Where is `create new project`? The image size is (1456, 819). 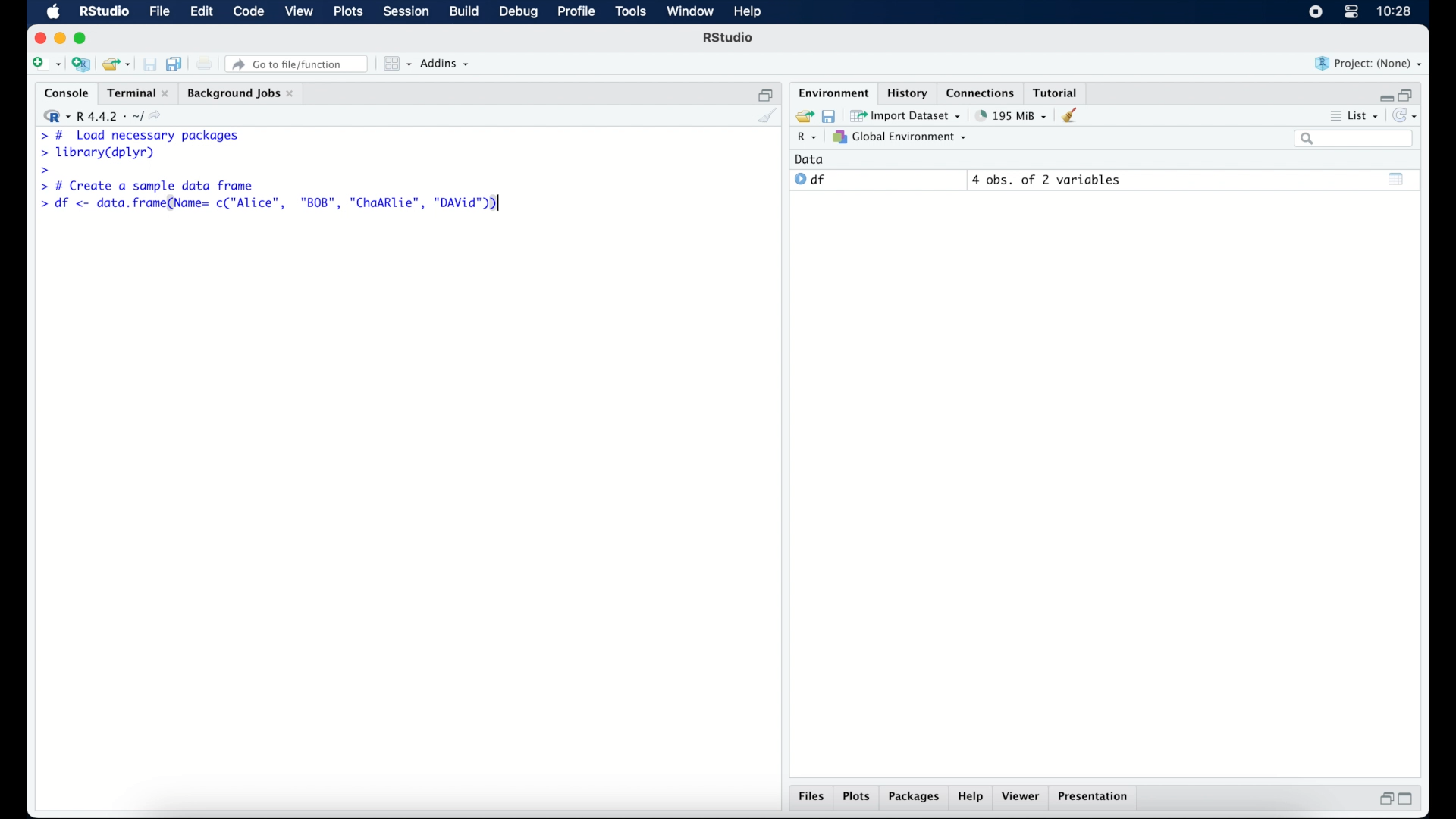 create new project is located at coordinates (81, 65).